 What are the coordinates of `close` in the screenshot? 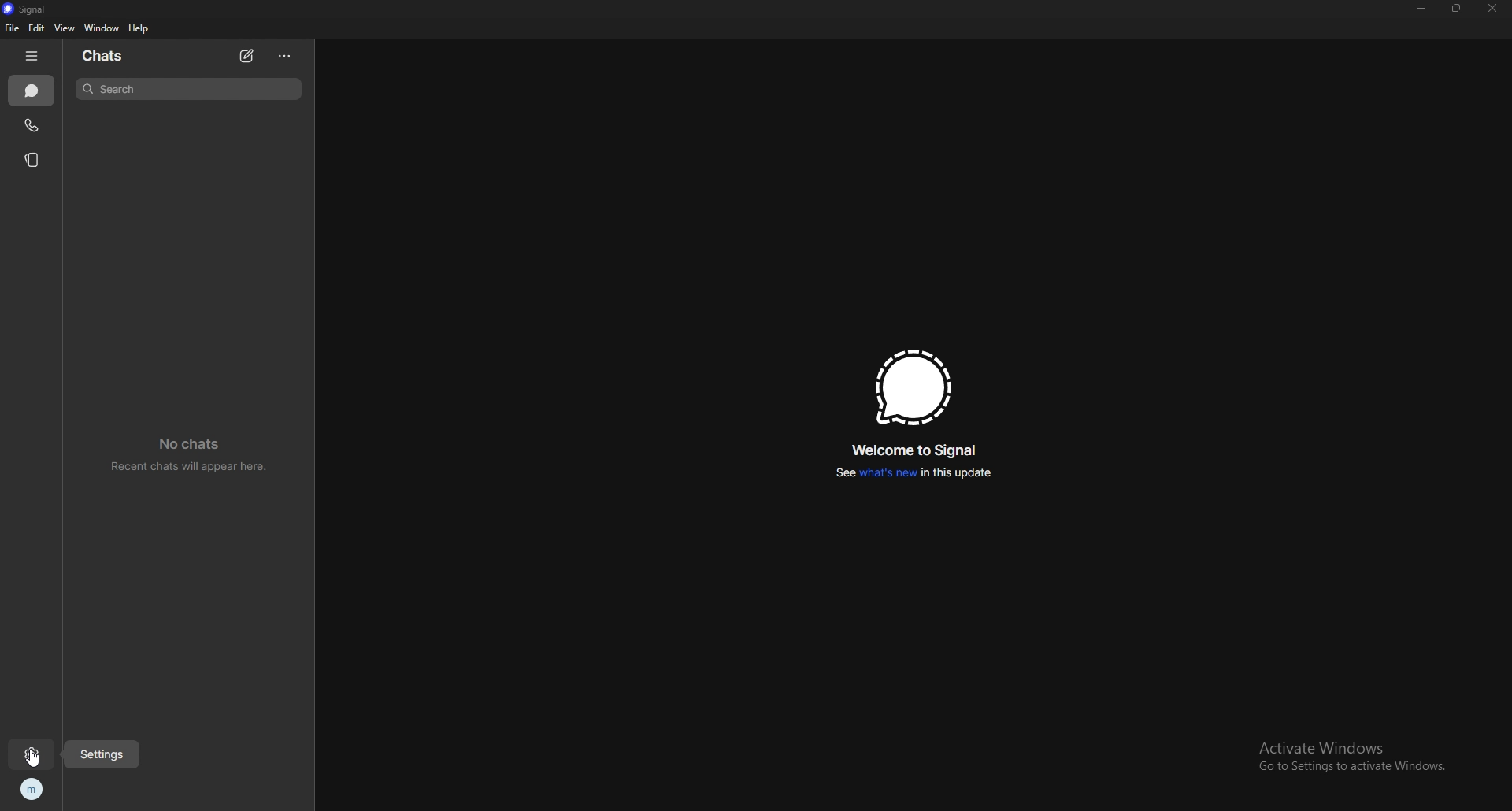 It's located at (1492, 9).